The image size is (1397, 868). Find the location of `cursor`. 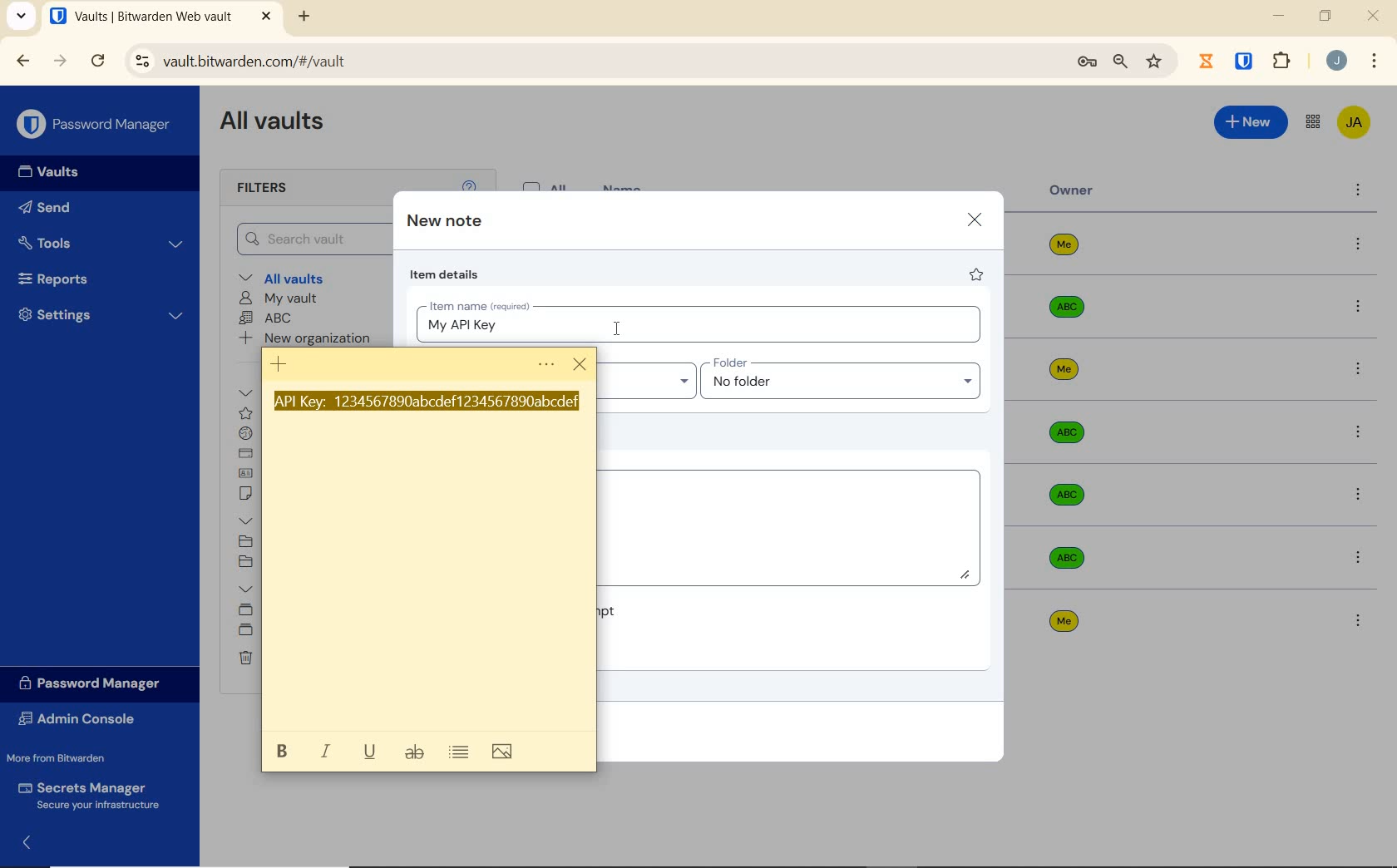

cursor is located at coordinates (618, 328).